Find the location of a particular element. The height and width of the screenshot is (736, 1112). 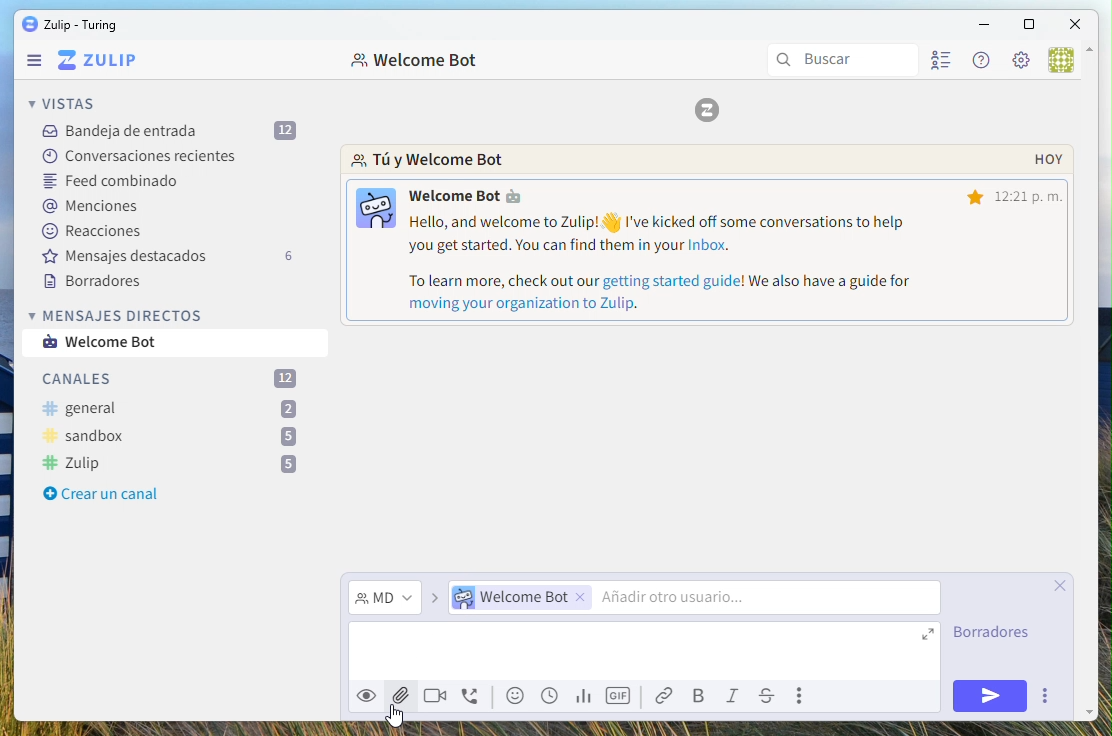

more is located at coordinates (803, 696).